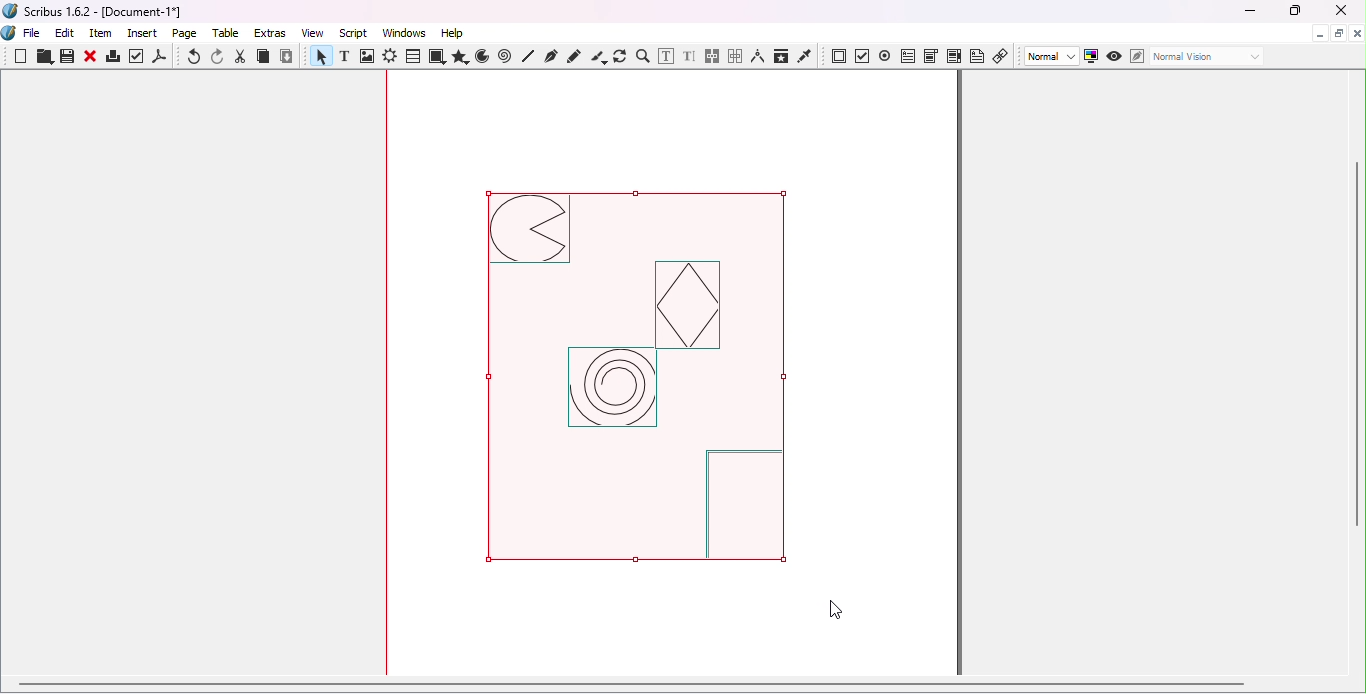 The height and width of the screenshot is (694, 1366). What do you see at coordinates (757, 56) in the screenshot?
I see `Measurements` at bounding box center [757, 56].